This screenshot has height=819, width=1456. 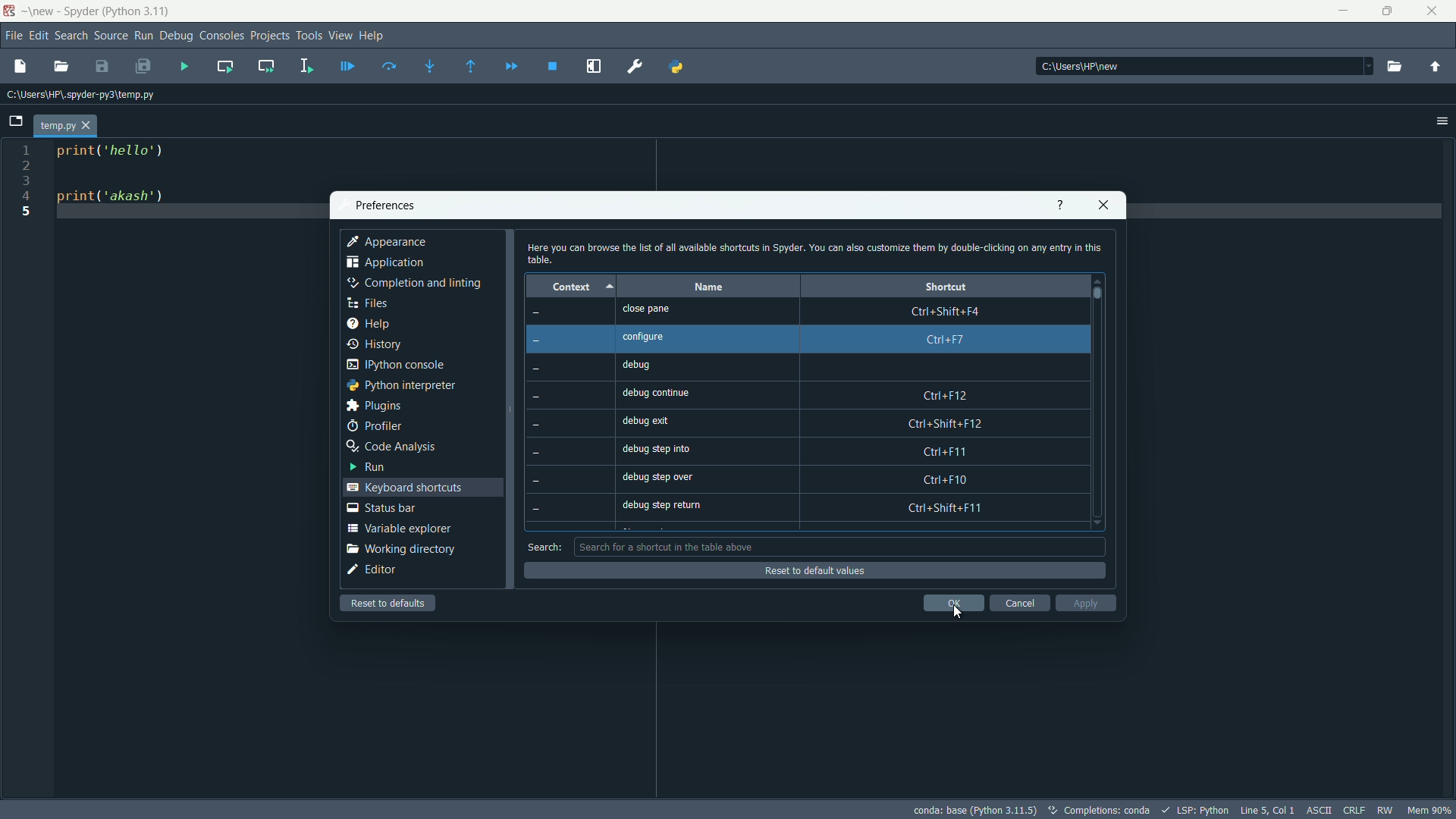 What do you see at coordinates (375, 426) in the screenshot?
I see `profiler` at bounding box center [375, 426].